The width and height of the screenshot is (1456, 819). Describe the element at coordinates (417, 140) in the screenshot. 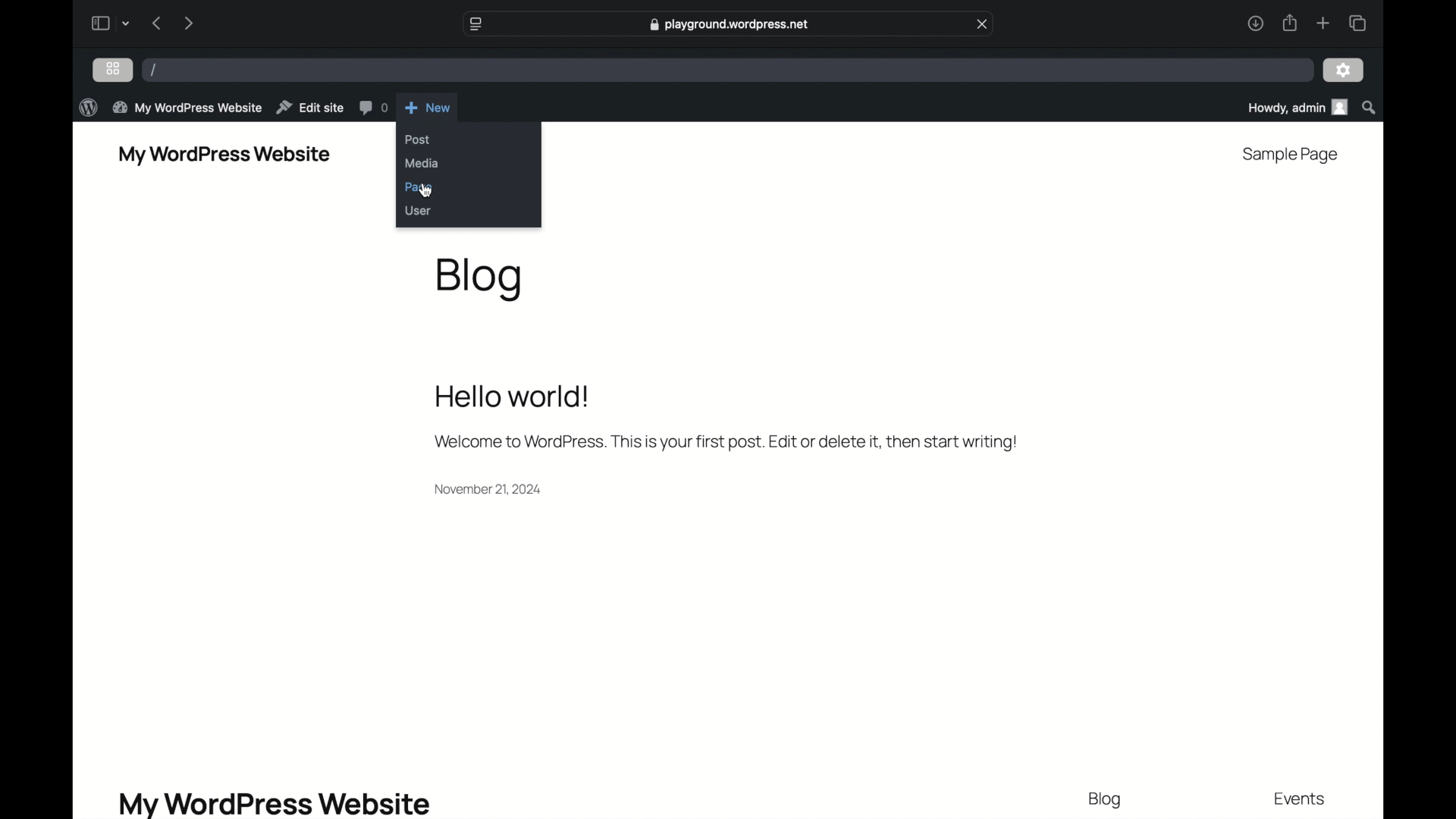

I see `post` at that location.